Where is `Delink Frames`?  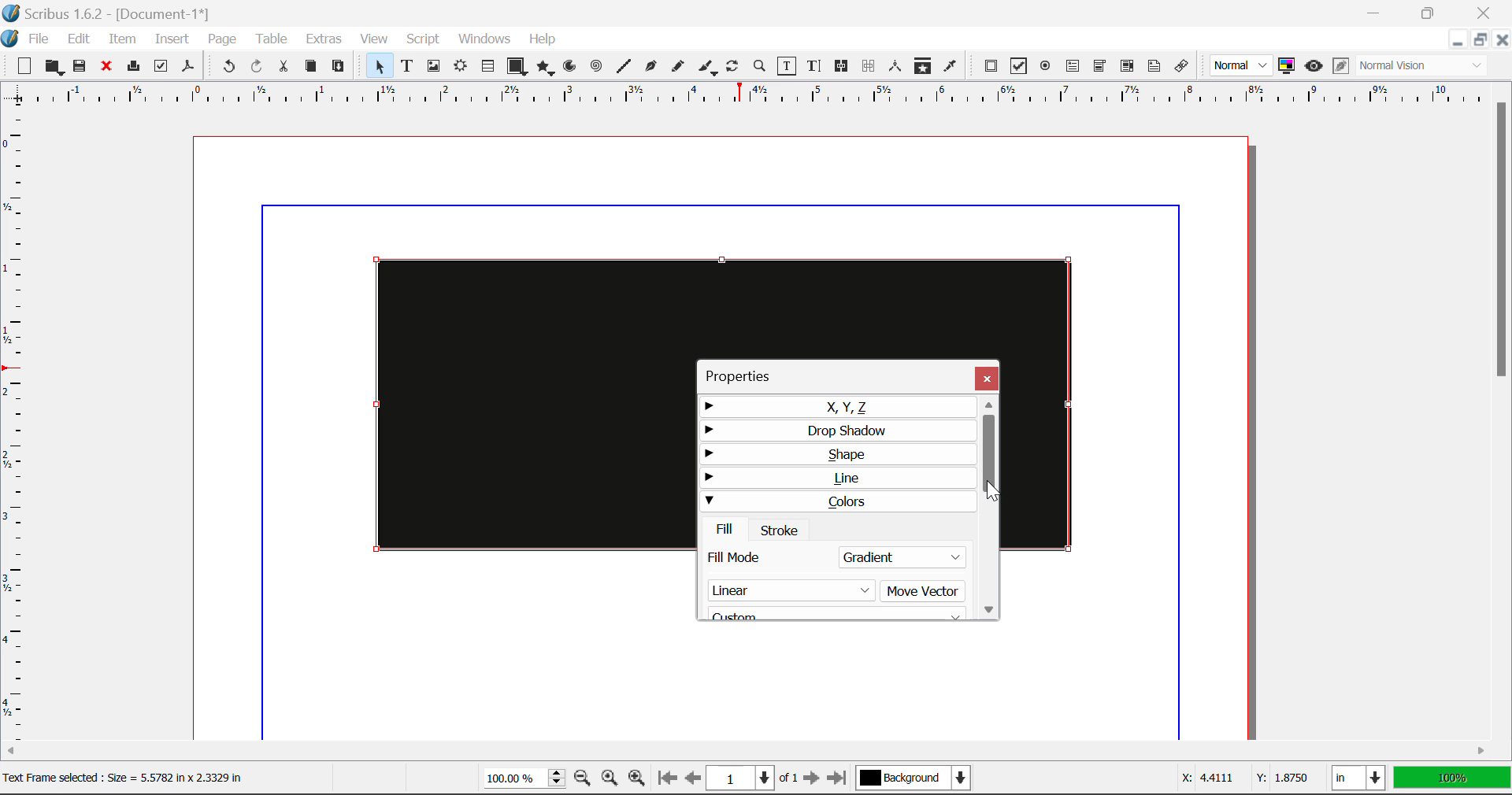 Delink Frames is located at coordinates (869, 66).